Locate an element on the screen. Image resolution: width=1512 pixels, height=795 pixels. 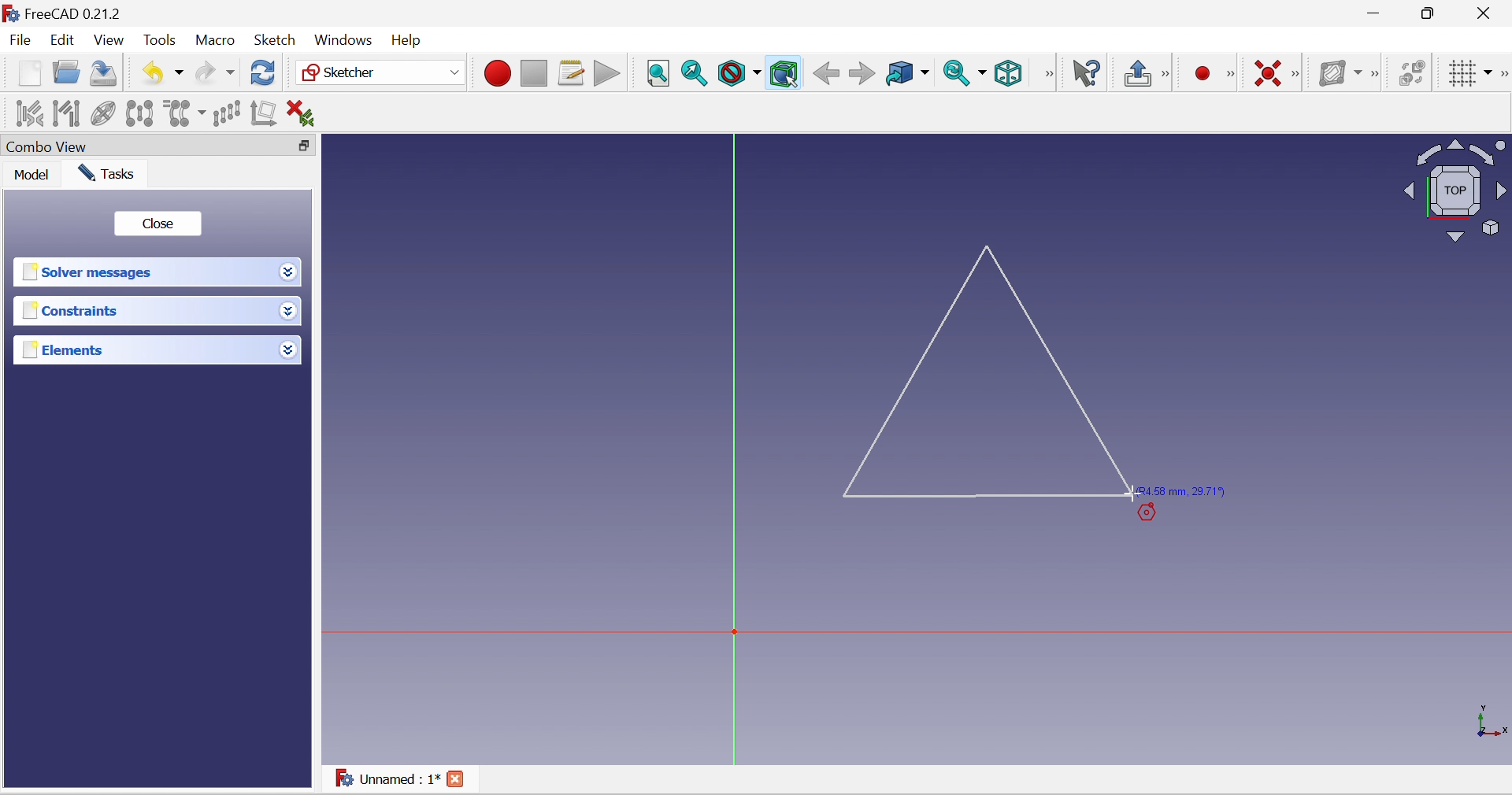
Drop down is located at coordinates (289, 349).